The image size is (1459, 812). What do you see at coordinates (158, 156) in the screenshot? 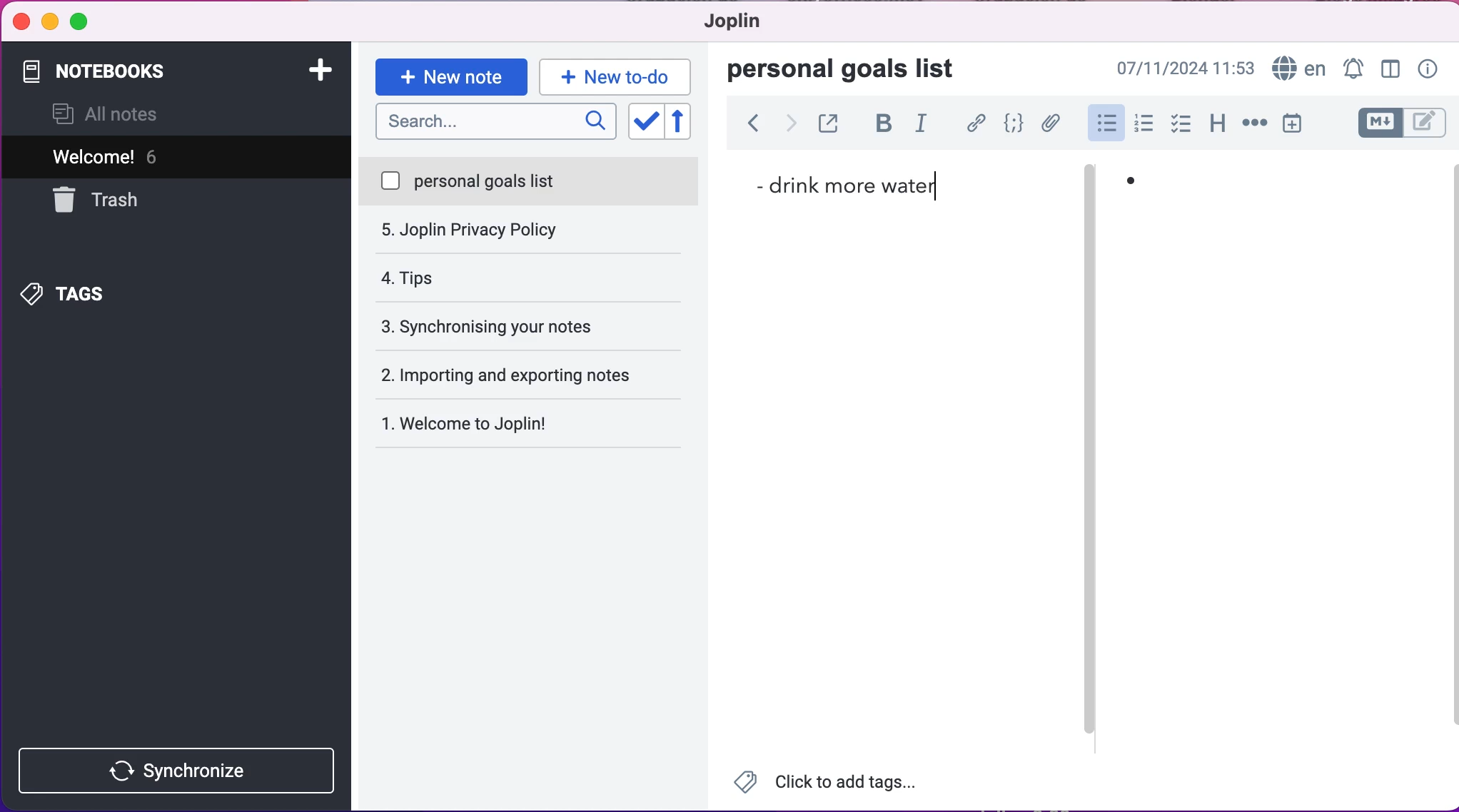
I see `welcome! 5` at bounding box center [158, 156].